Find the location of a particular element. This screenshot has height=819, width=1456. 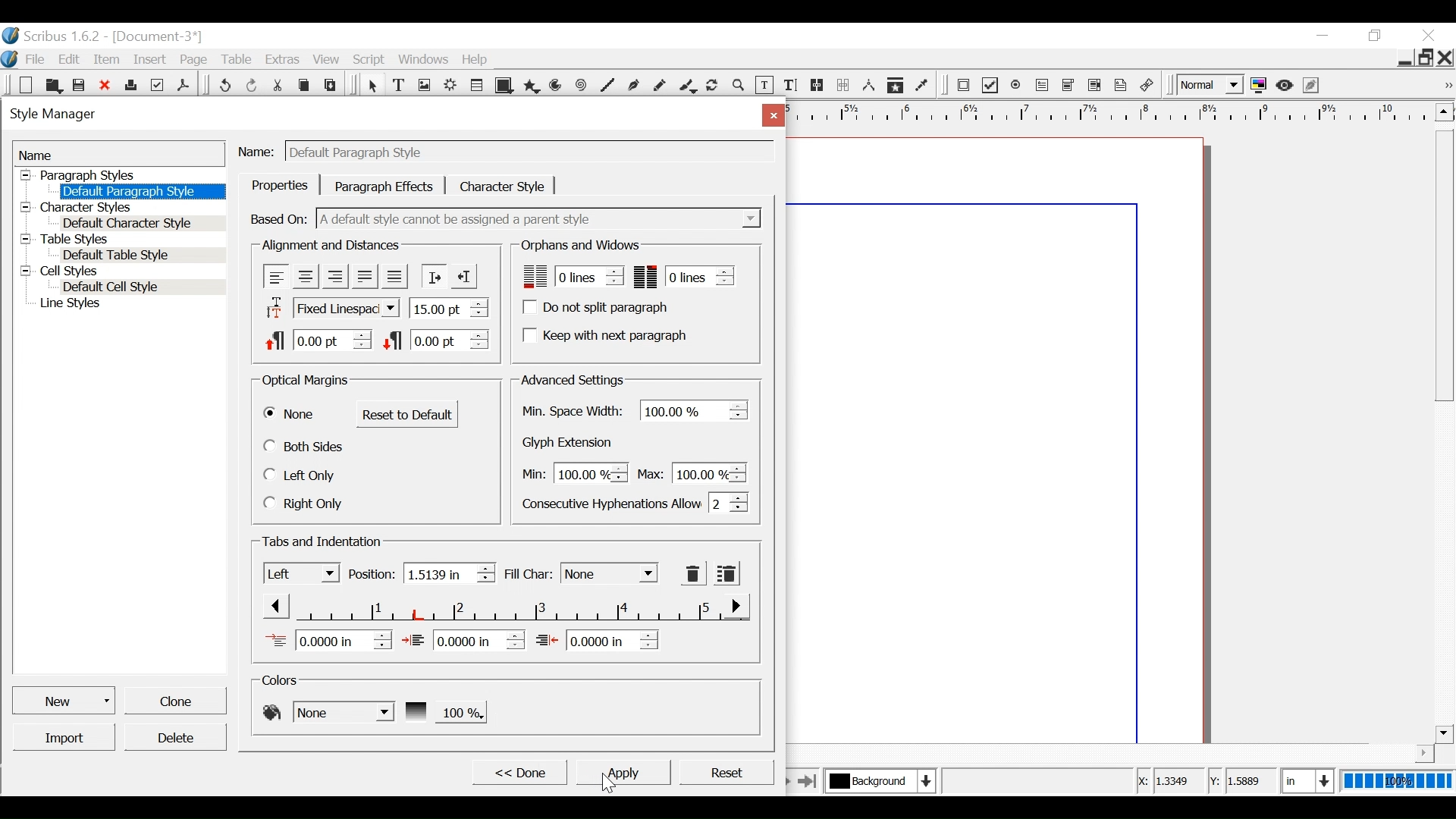

Import is located at coordinates (65, 737).